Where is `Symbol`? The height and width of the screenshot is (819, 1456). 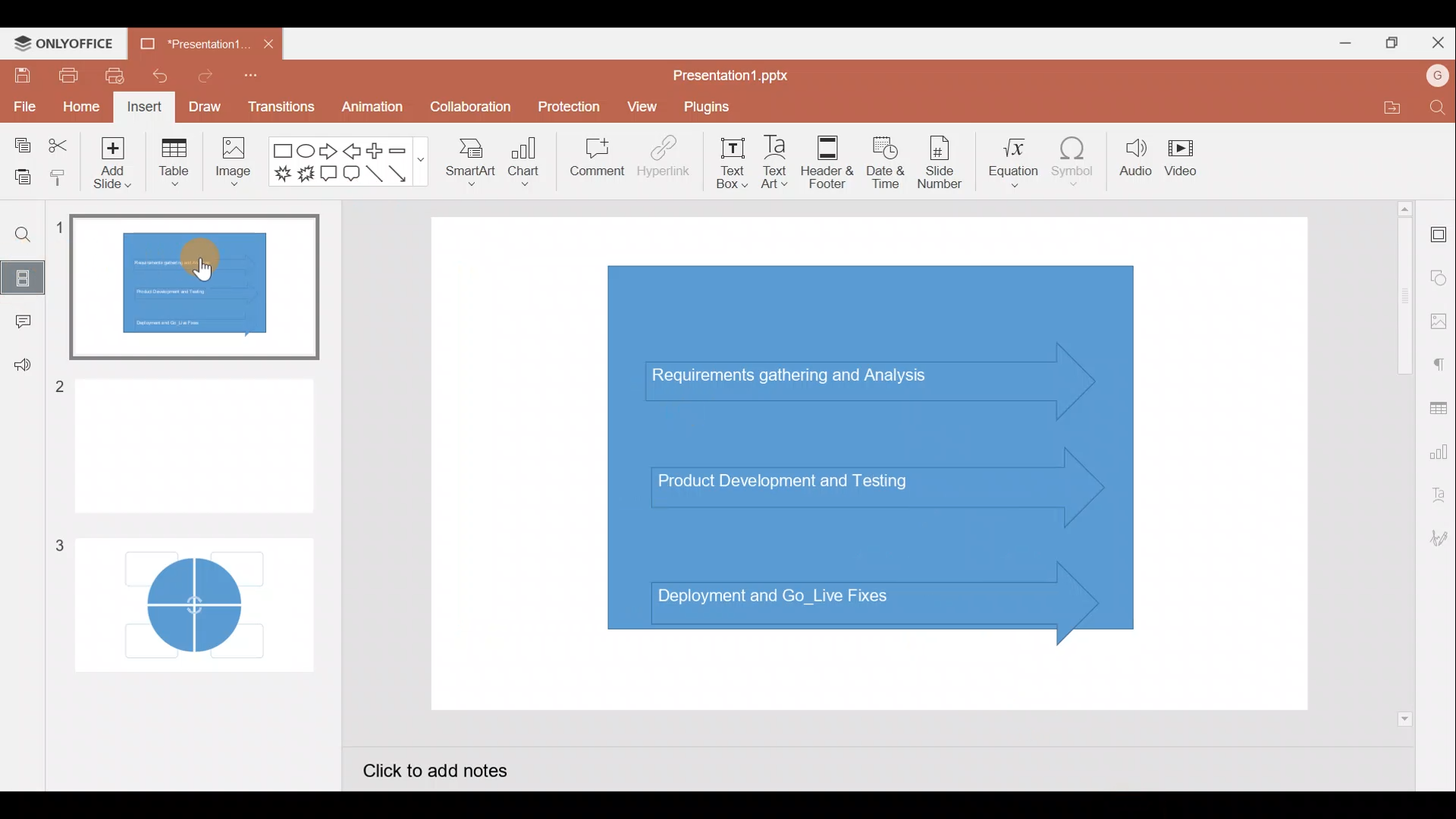 Symbol is located at coordinates (1074, 165).